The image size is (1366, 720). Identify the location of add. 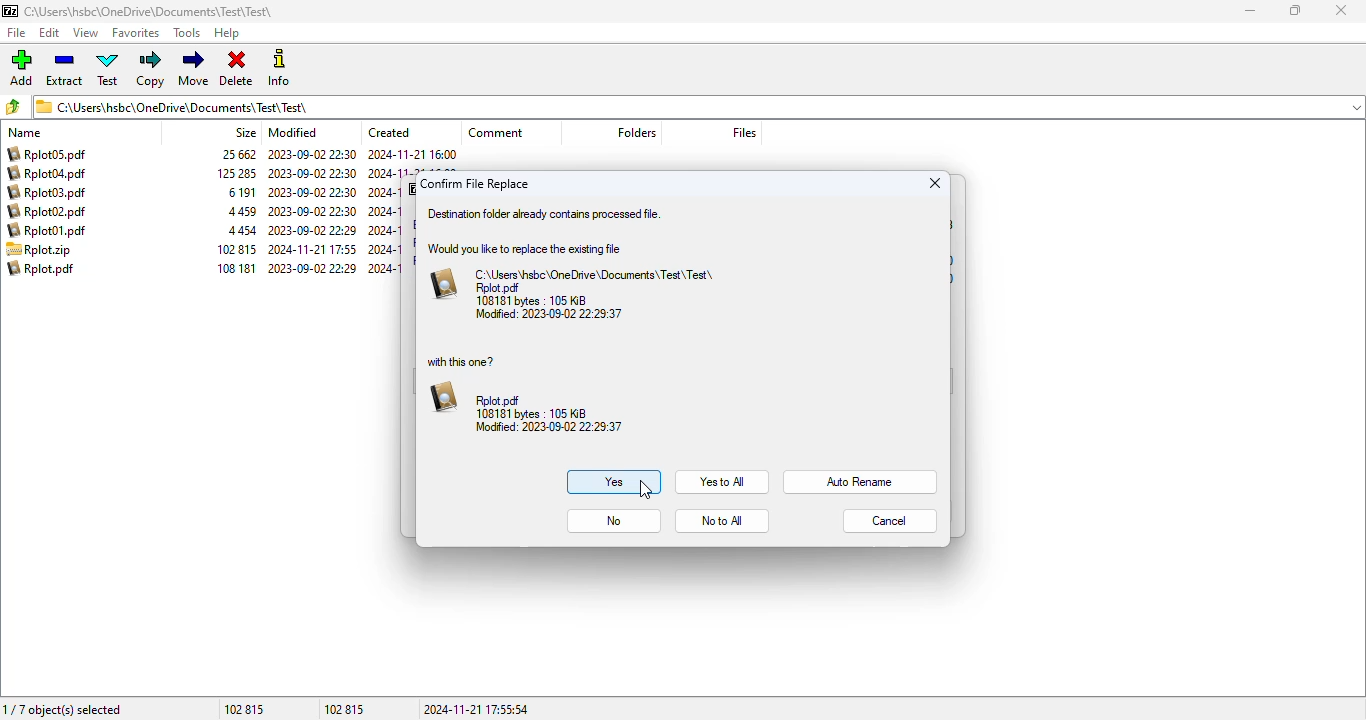
(20, 67).